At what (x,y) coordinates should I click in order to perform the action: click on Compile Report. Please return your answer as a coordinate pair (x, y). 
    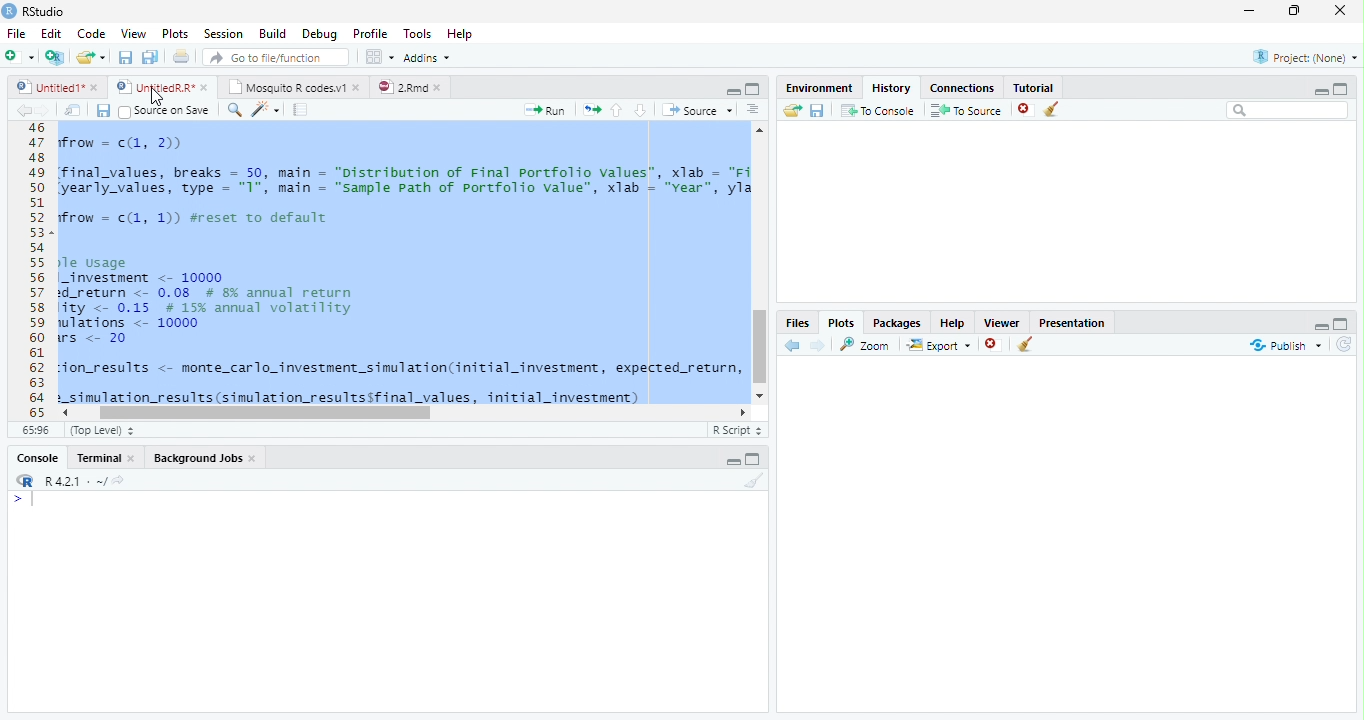
    Looking at the image, I should click on (303, 110).